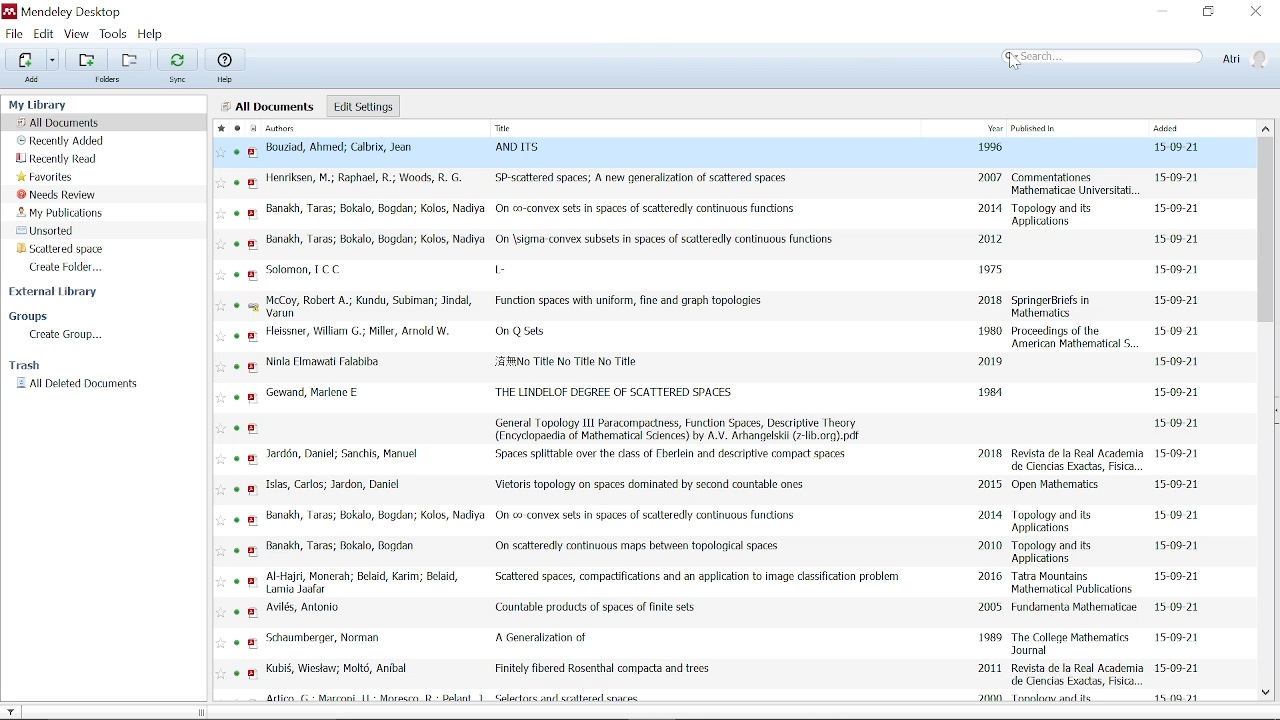 This screenshot has height=720, width=1280. Describe the element at coordinates (133, 58) in the screenshot. I see `Remove folder` at that location.